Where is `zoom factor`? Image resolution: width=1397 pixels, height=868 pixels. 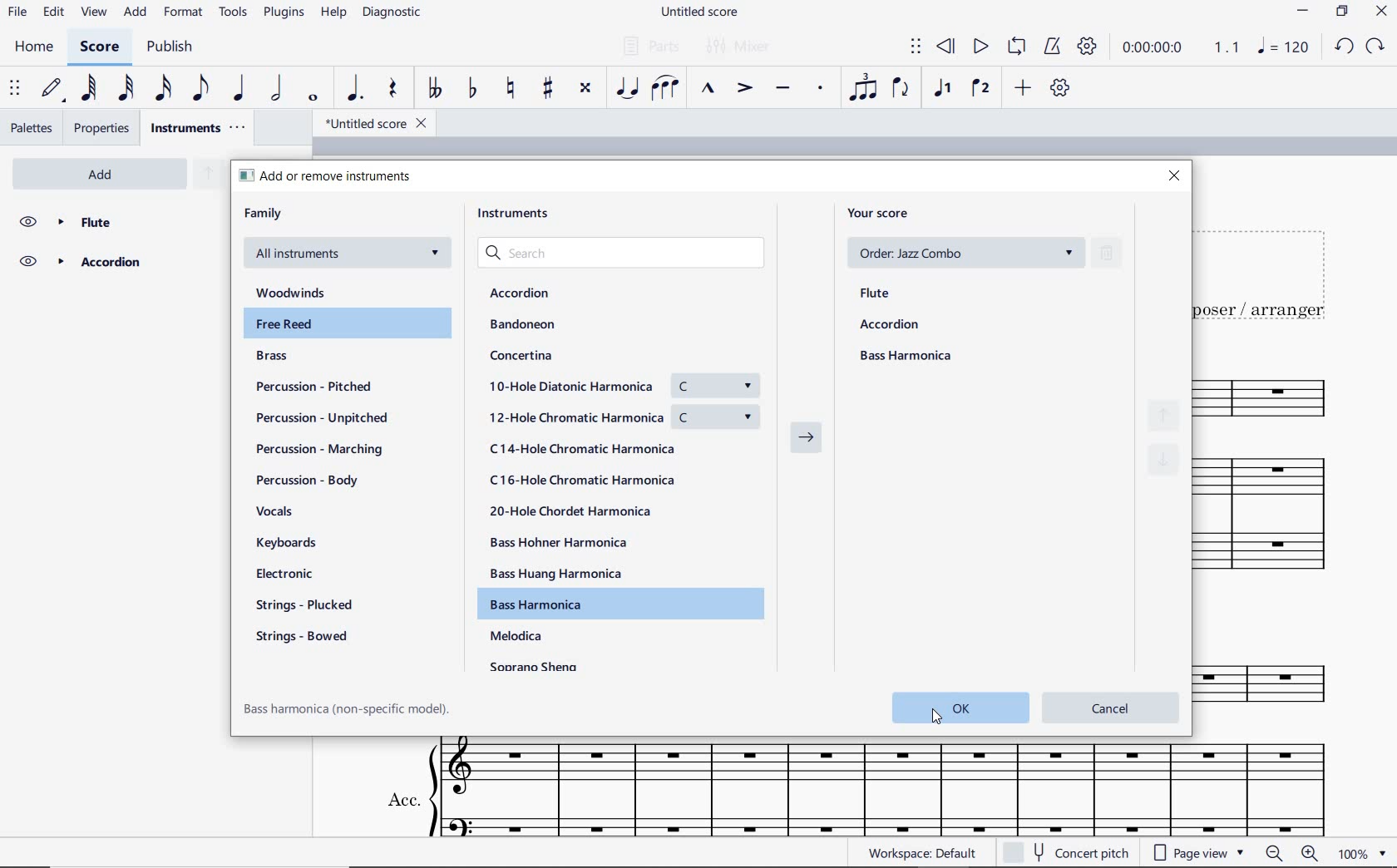
zoom factor is located at coordinates (1350, 855).